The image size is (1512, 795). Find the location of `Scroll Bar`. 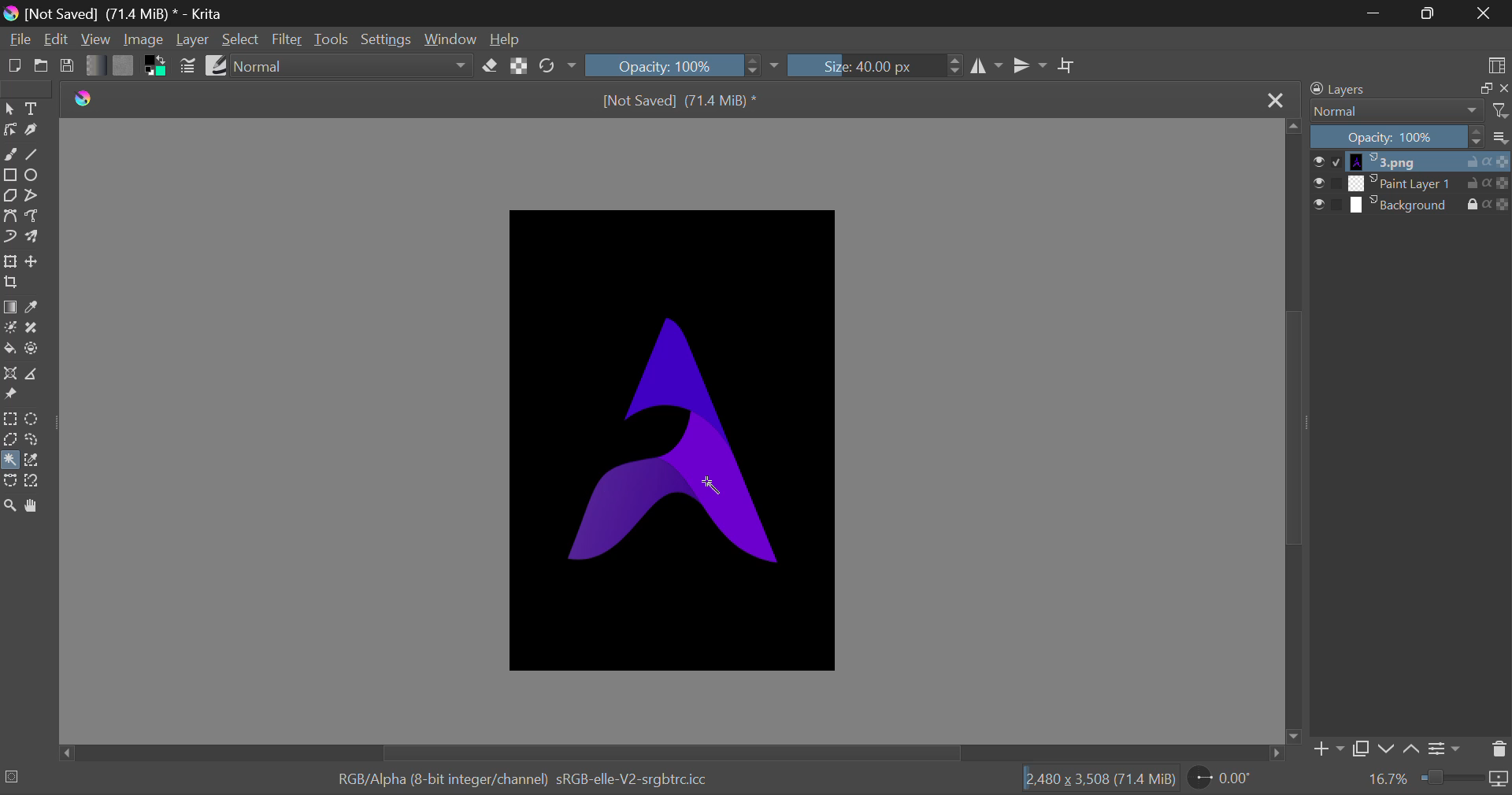

Scroll Bar is located at coordinates (1293, 431).